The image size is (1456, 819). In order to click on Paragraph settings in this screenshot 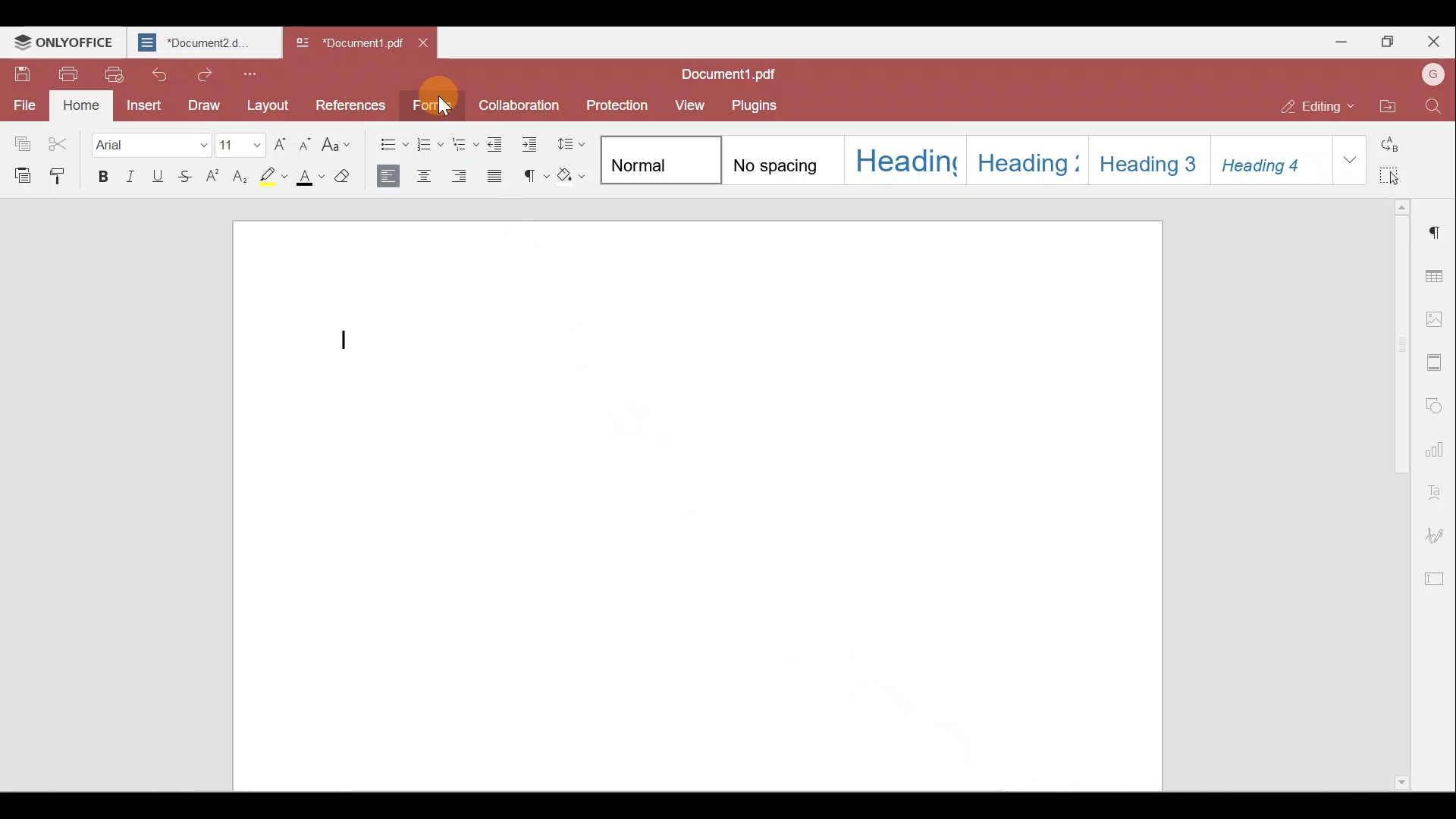, I will do `click(1437, 231)`.